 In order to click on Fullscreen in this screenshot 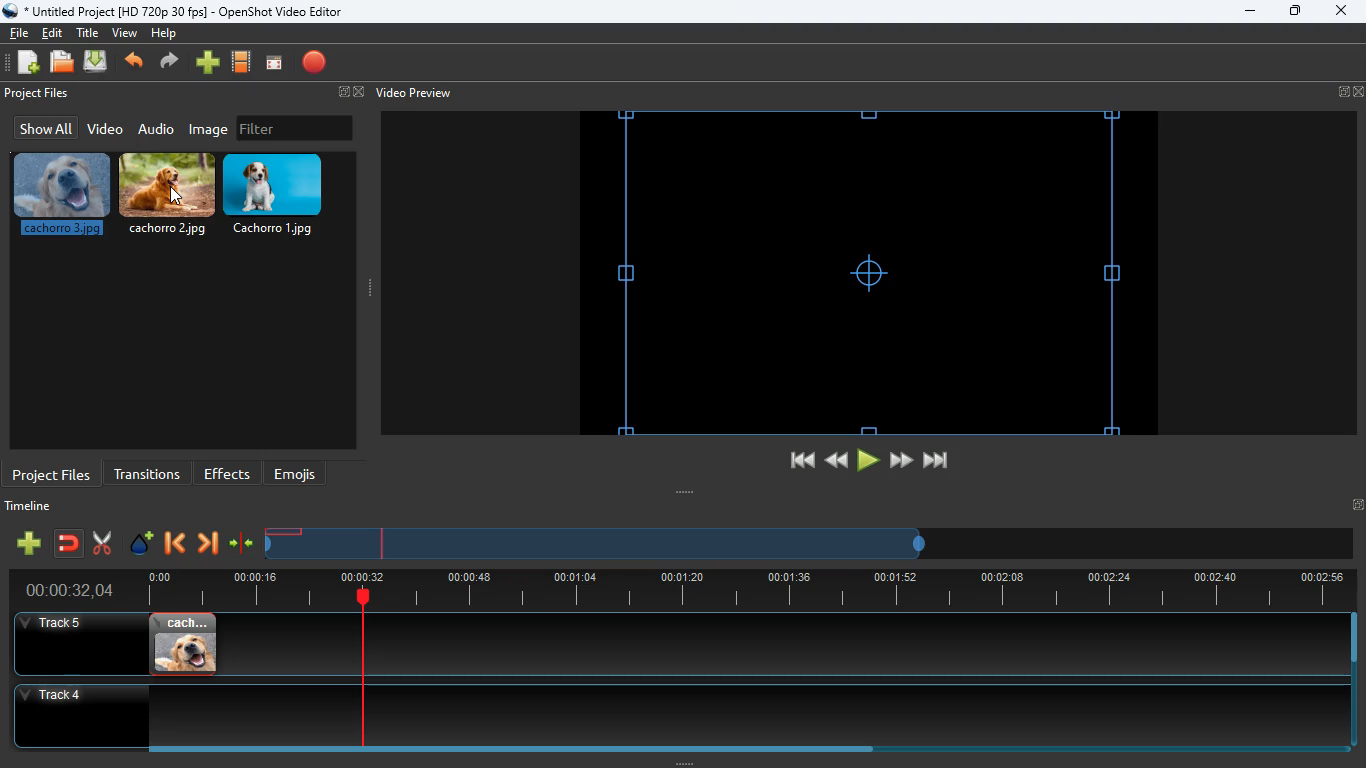, I will do `click(1357, 504)`.